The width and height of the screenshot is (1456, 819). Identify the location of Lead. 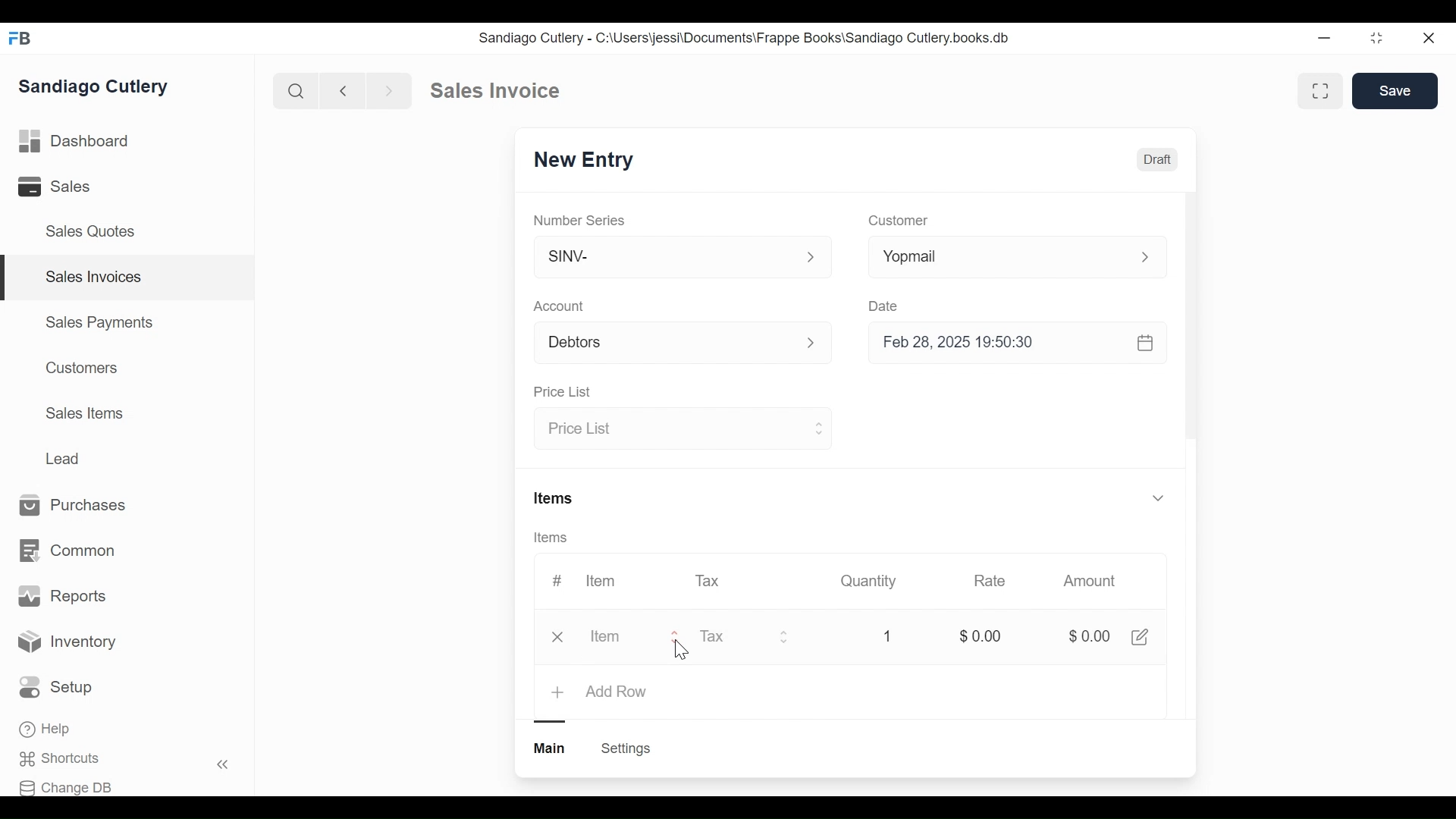
(64, 457).